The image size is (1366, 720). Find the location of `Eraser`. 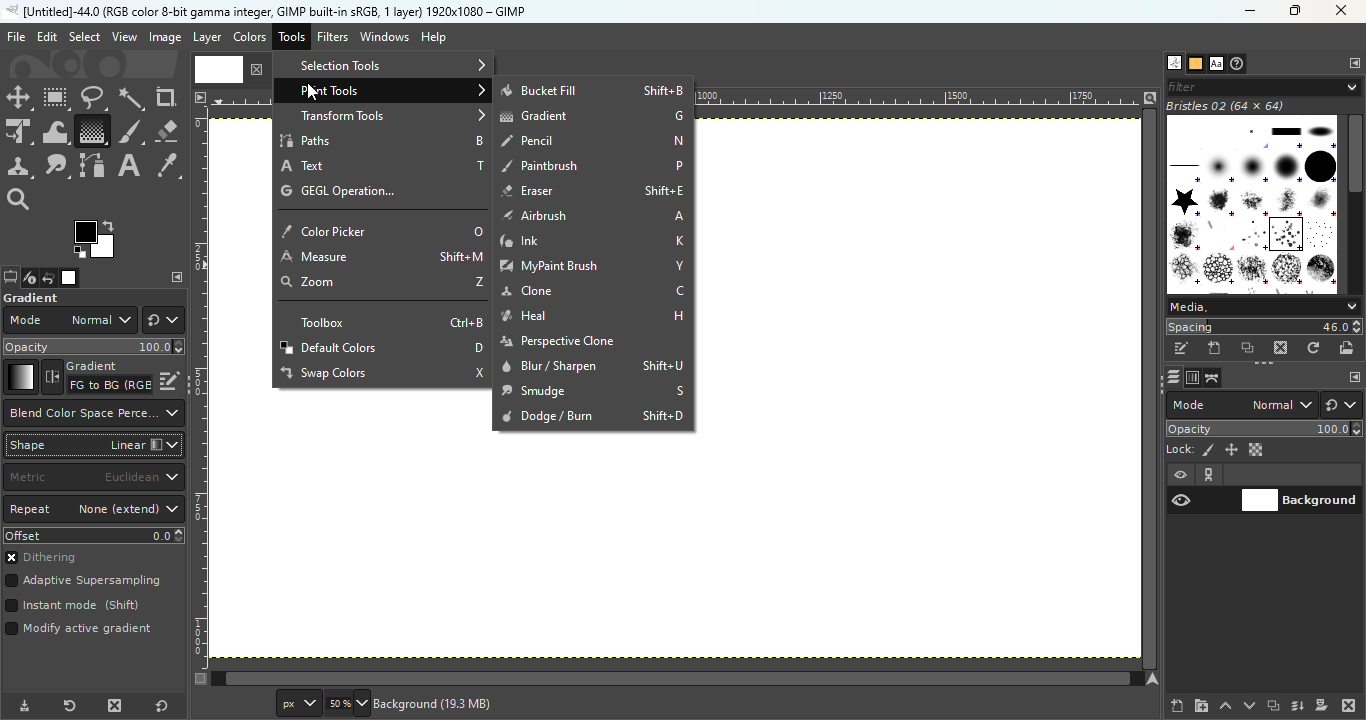

Eraser is located at coordinates (590, 190).